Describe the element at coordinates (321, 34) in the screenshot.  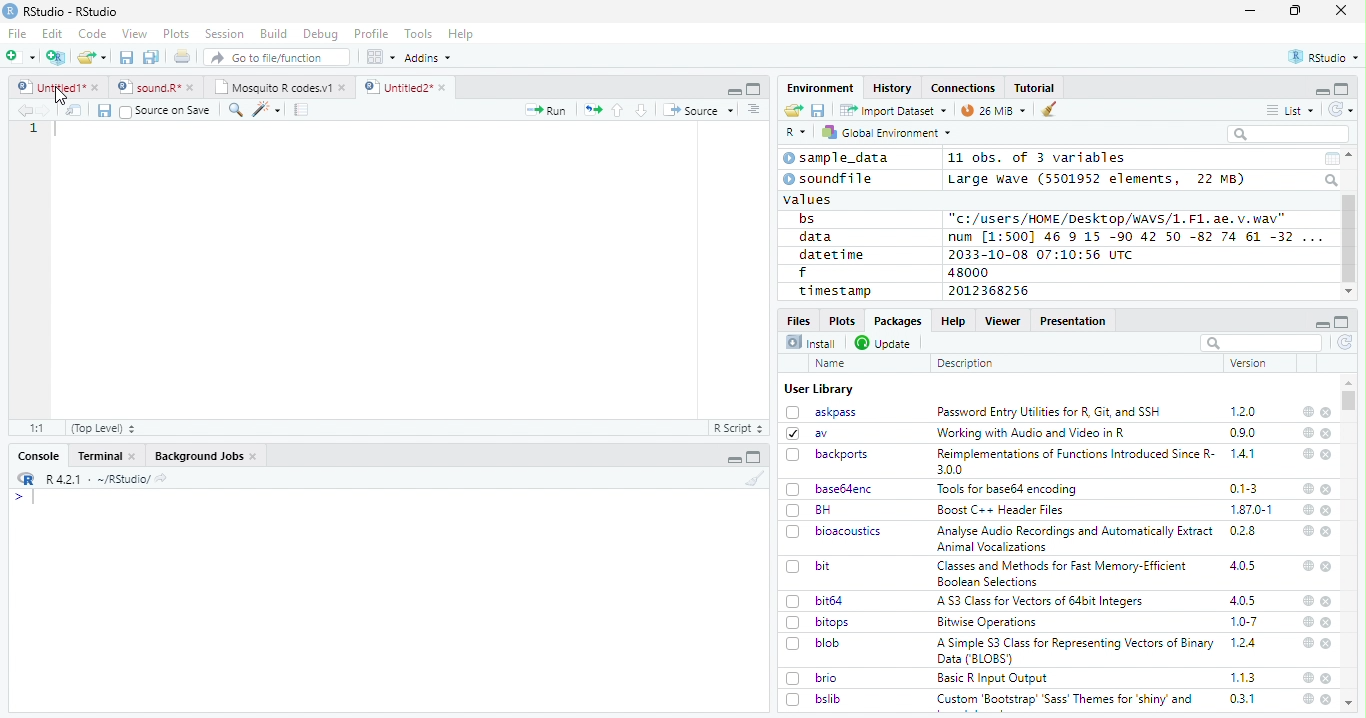
I see `Debug` at that location.